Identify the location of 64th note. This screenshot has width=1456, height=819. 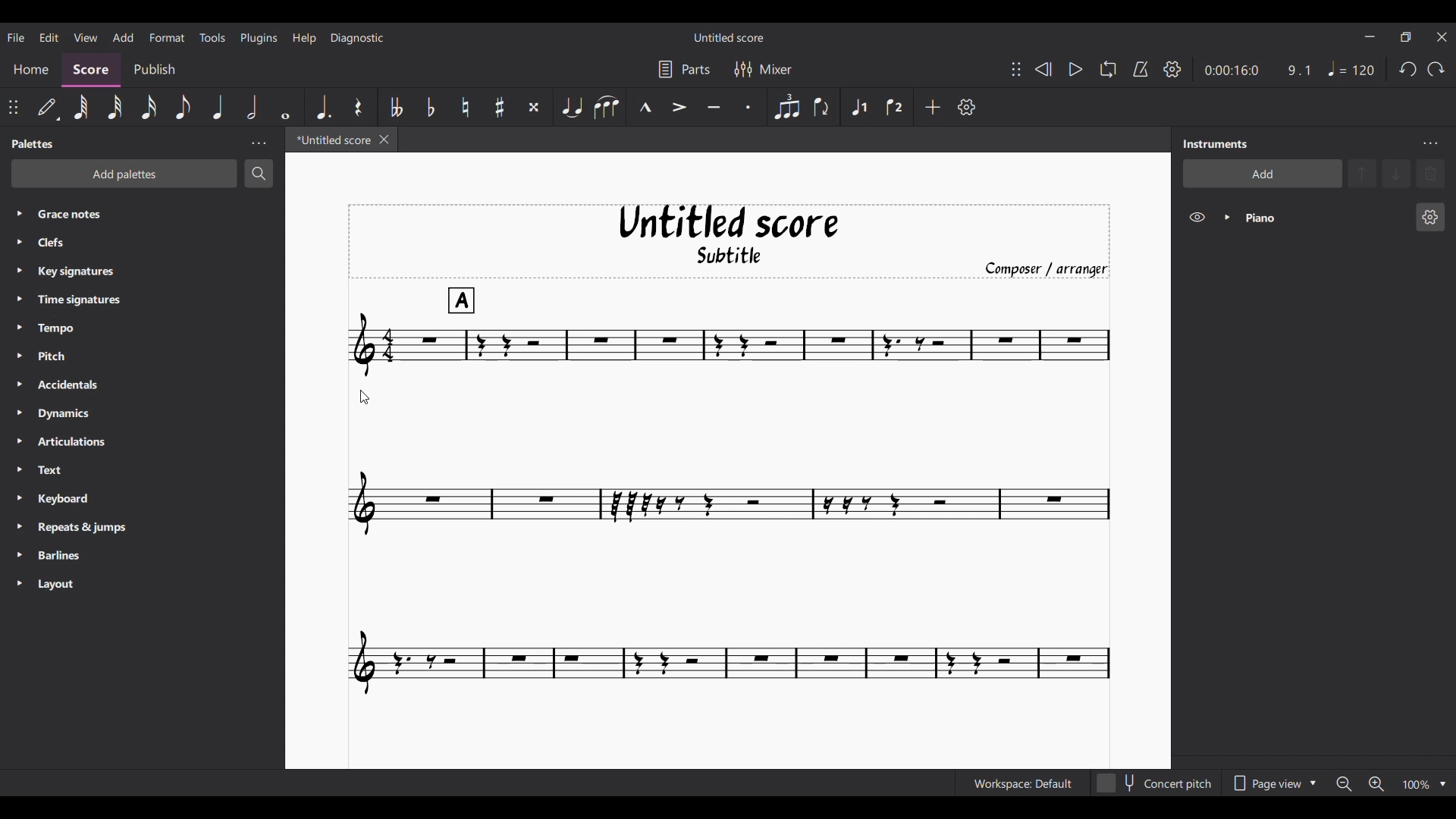
(81, 107).